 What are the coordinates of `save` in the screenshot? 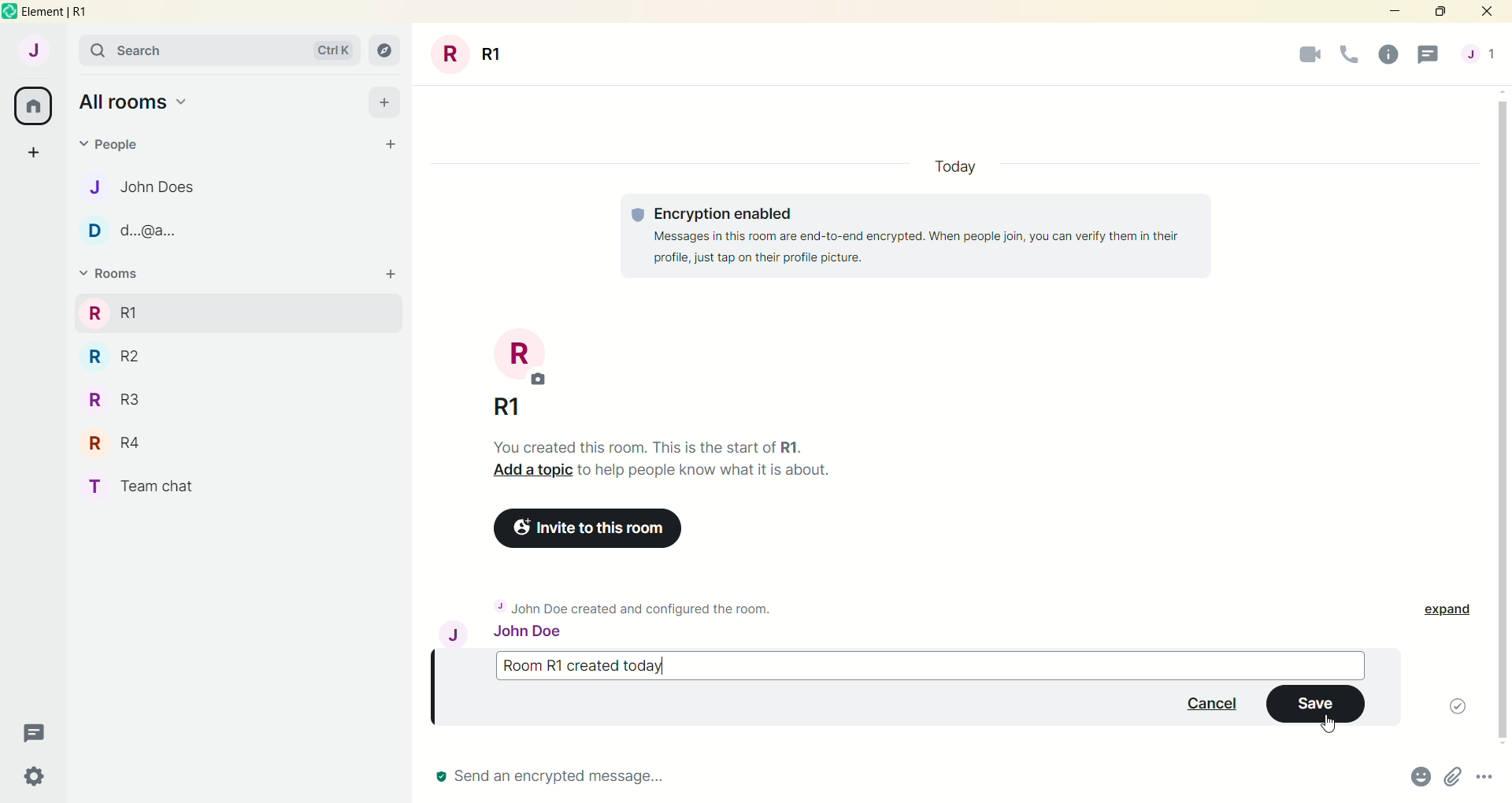 It's located at (1316, 705).